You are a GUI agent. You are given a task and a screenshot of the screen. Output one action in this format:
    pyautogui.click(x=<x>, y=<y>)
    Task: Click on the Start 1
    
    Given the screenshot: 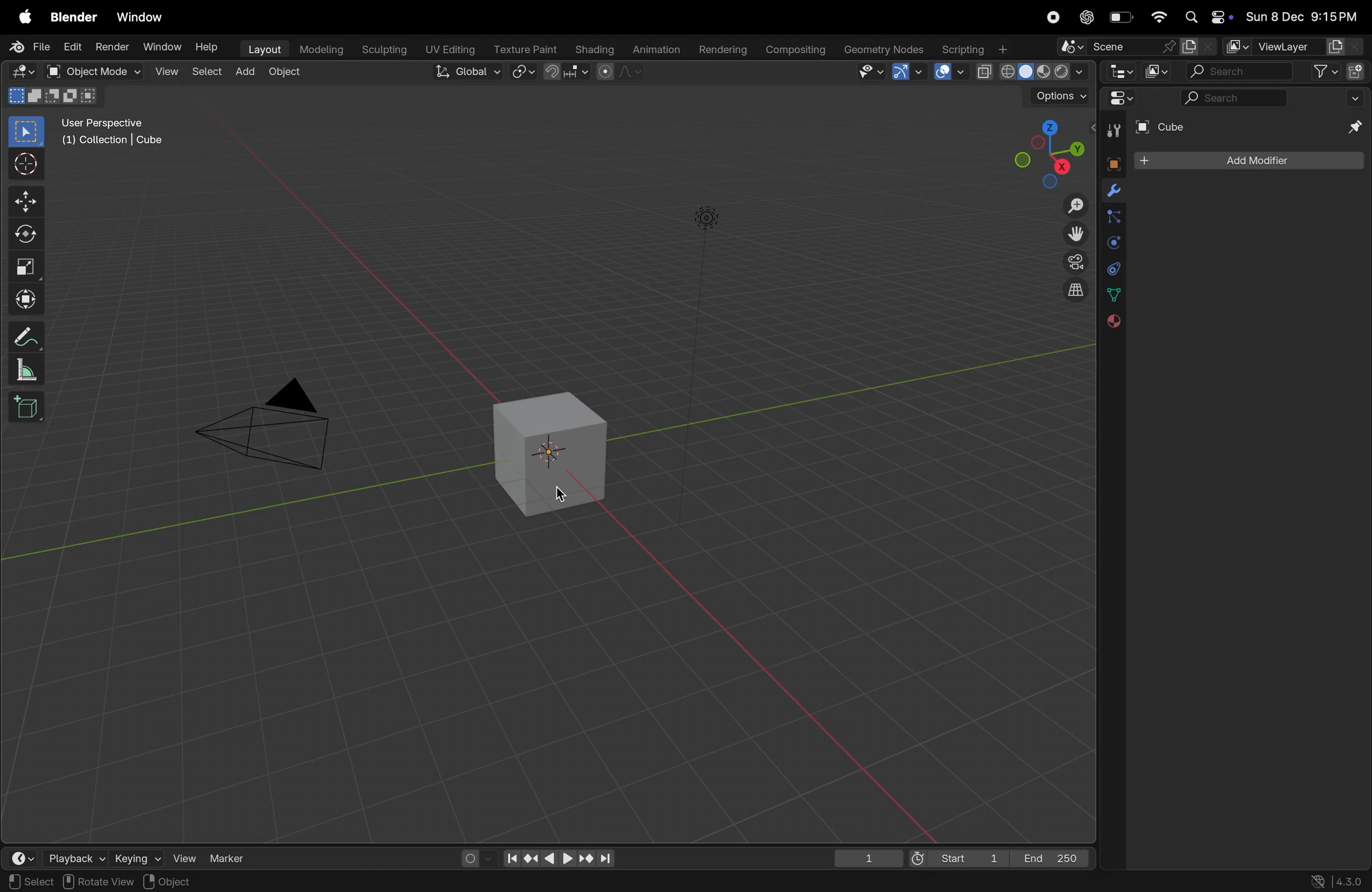 What is the action you would take?
    pyautogui.click(x=956, y=857)
    